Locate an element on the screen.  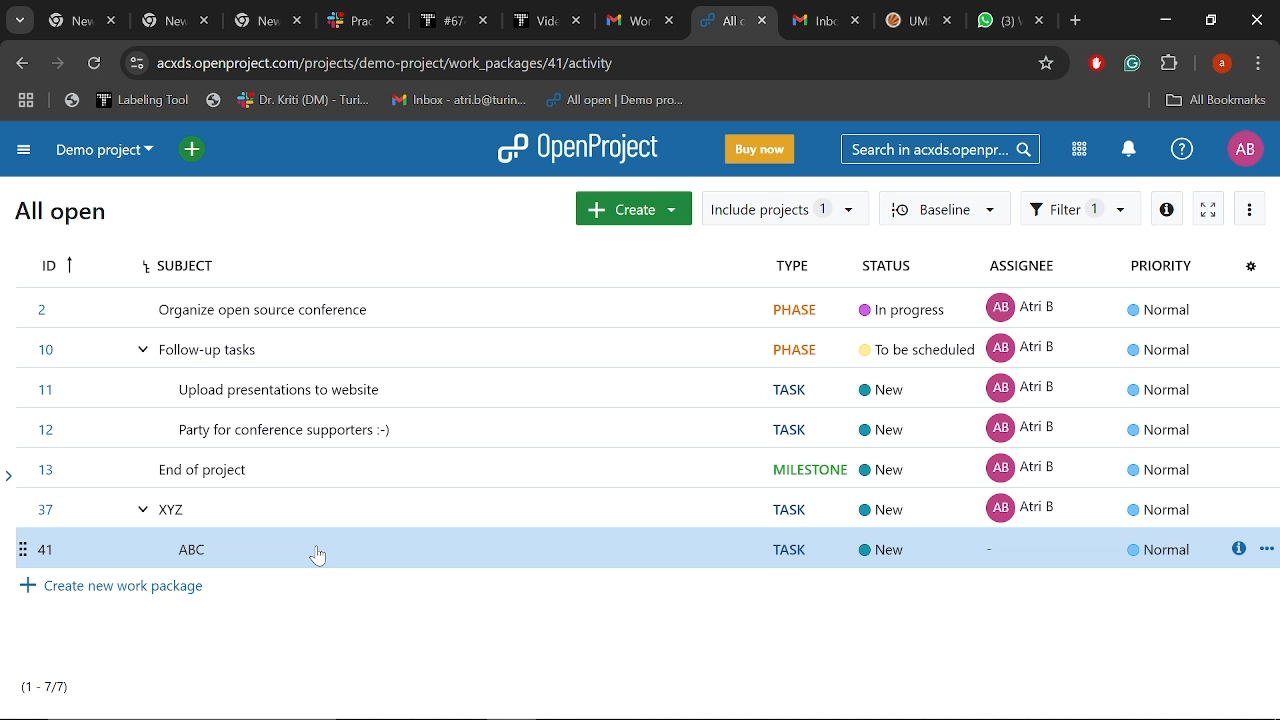
Notifications is located at coordinates (1129, 150).